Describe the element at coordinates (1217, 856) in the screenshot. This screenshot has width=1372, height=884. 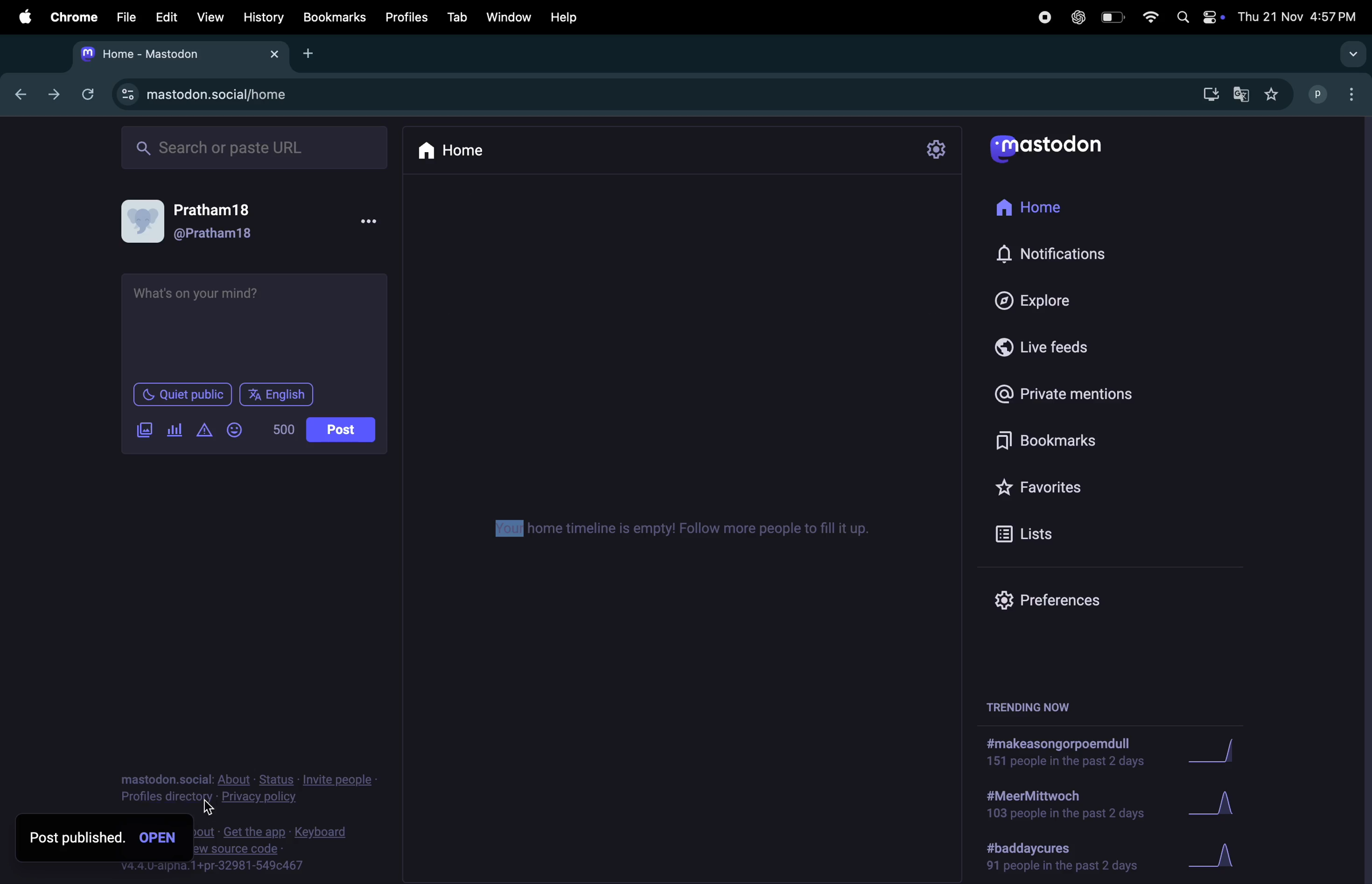
I see `graph` at that location.